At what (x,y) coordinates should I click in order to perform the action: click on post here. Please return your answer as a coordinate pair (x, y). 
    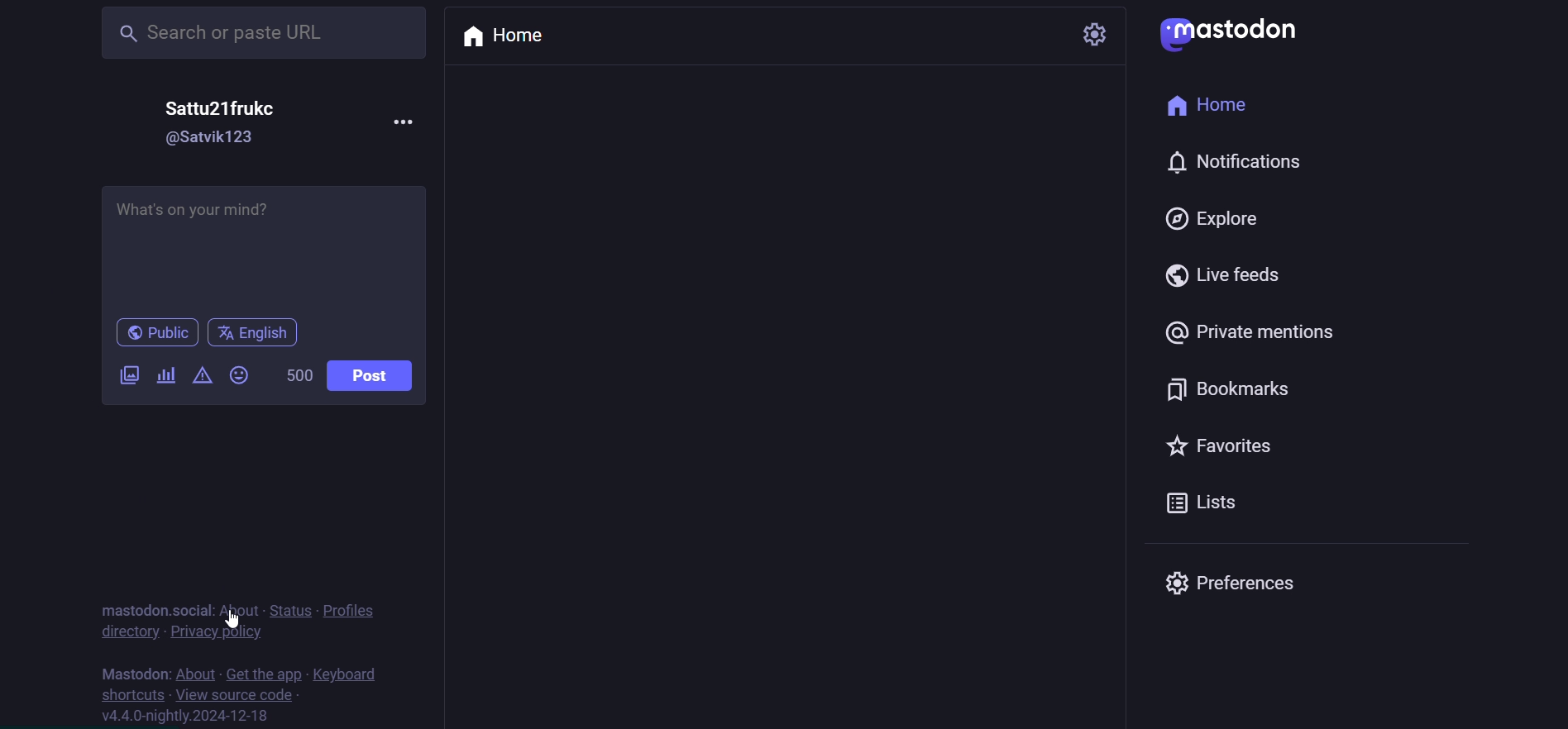
    Looking at the image, I should click on (261, 243).